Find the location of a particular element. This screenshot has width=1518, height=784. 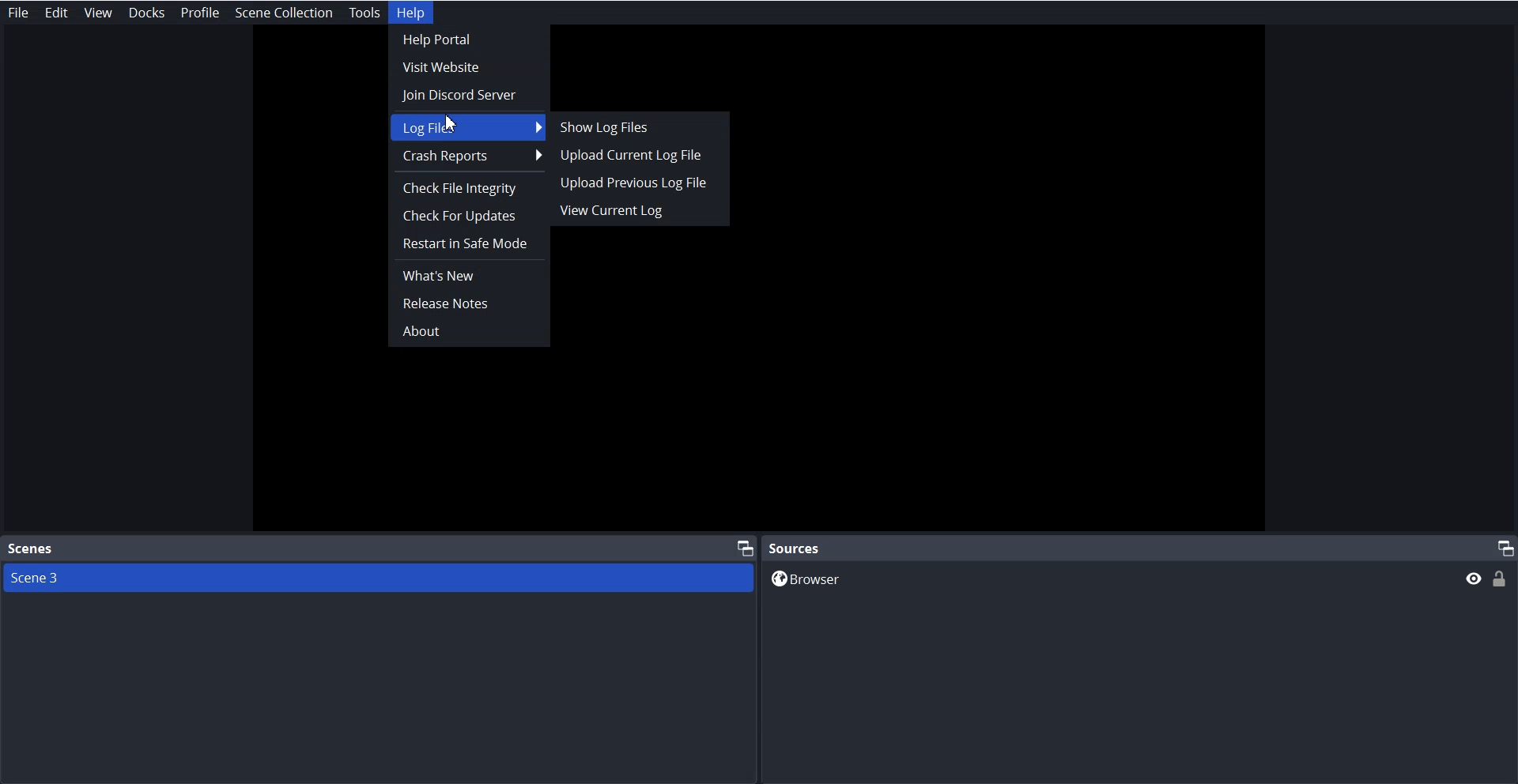

Upload Previous Log File is located at coordinates (634, 184).